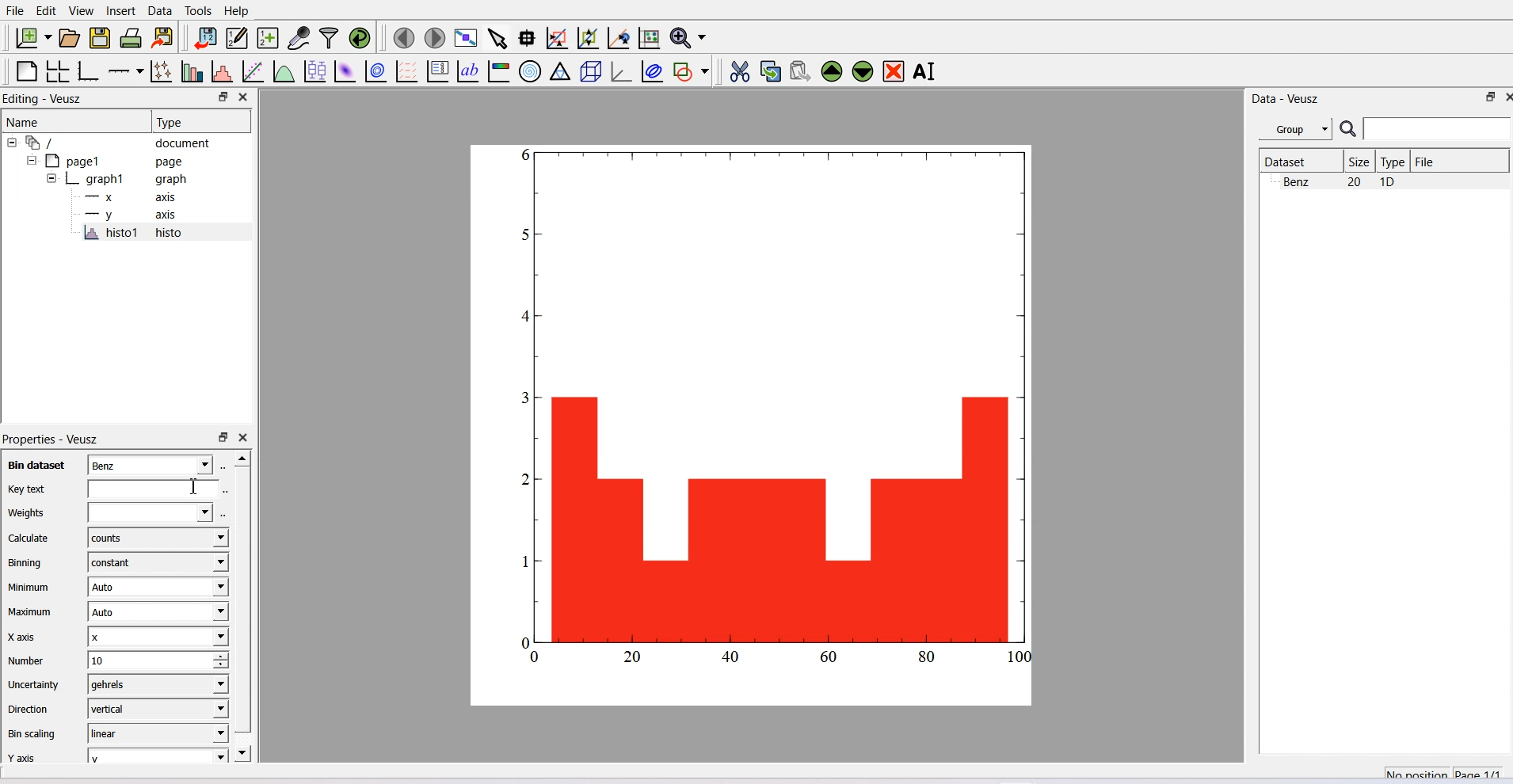 The height and width of the screenshot is (784, 1513). Describe the element at coordinates (801, 72) in the screenshot. I see `Paste widget from the clipboard` at that location.